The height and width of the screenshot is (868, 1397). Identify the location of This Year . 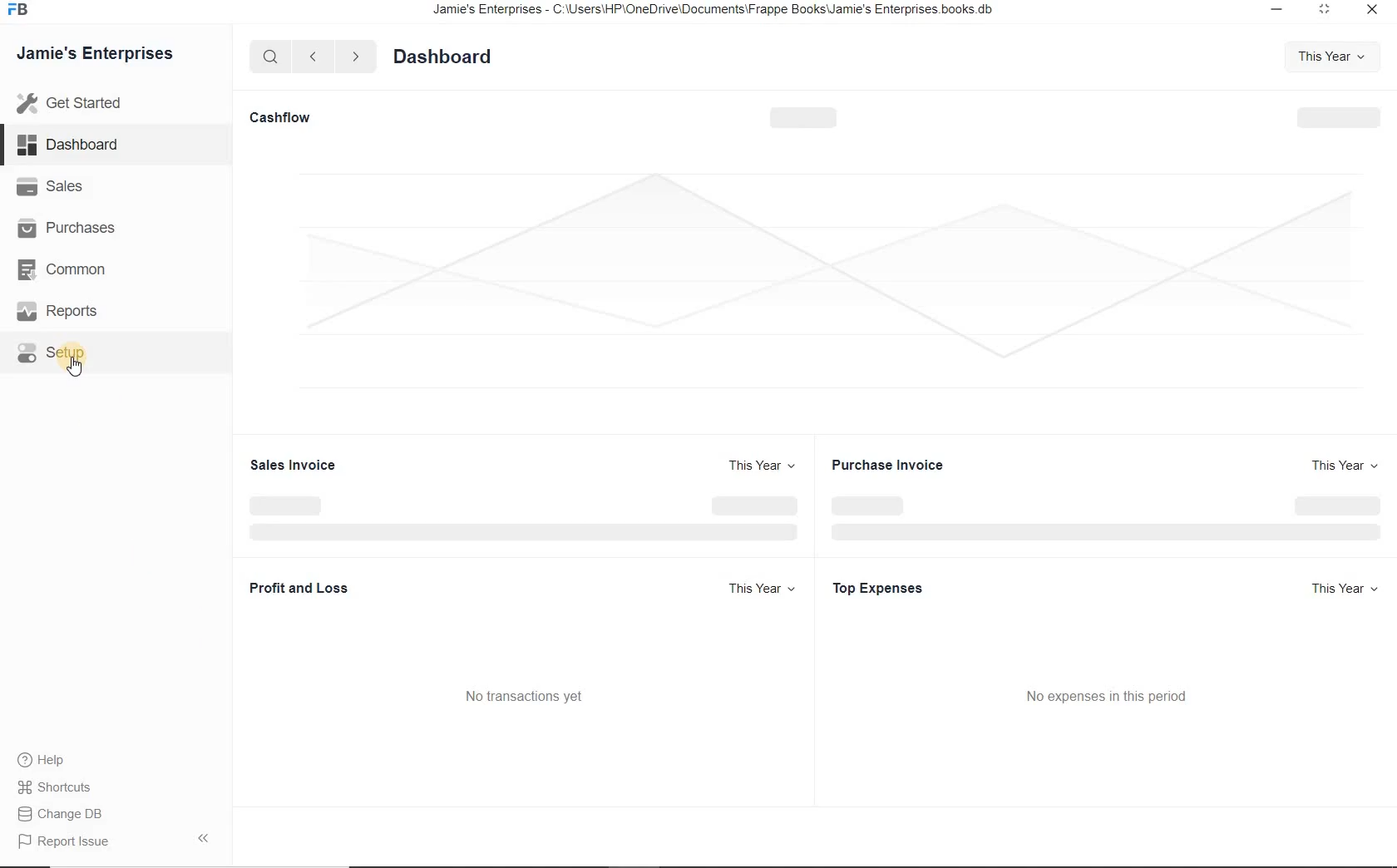
(1327, 57).